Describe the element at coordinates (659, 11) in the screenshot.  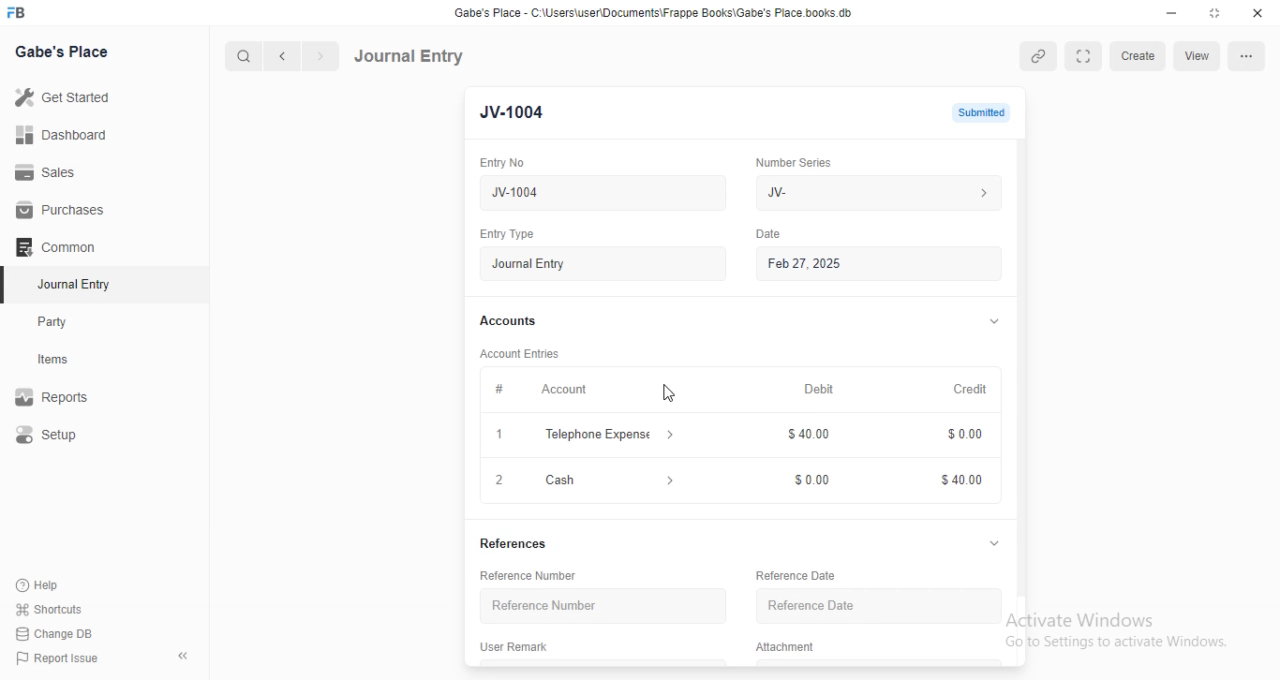
I see `‘Gabe's Place - C Wsers\userDocuments\Frappe Books\Gabe's Place books db` at that location.